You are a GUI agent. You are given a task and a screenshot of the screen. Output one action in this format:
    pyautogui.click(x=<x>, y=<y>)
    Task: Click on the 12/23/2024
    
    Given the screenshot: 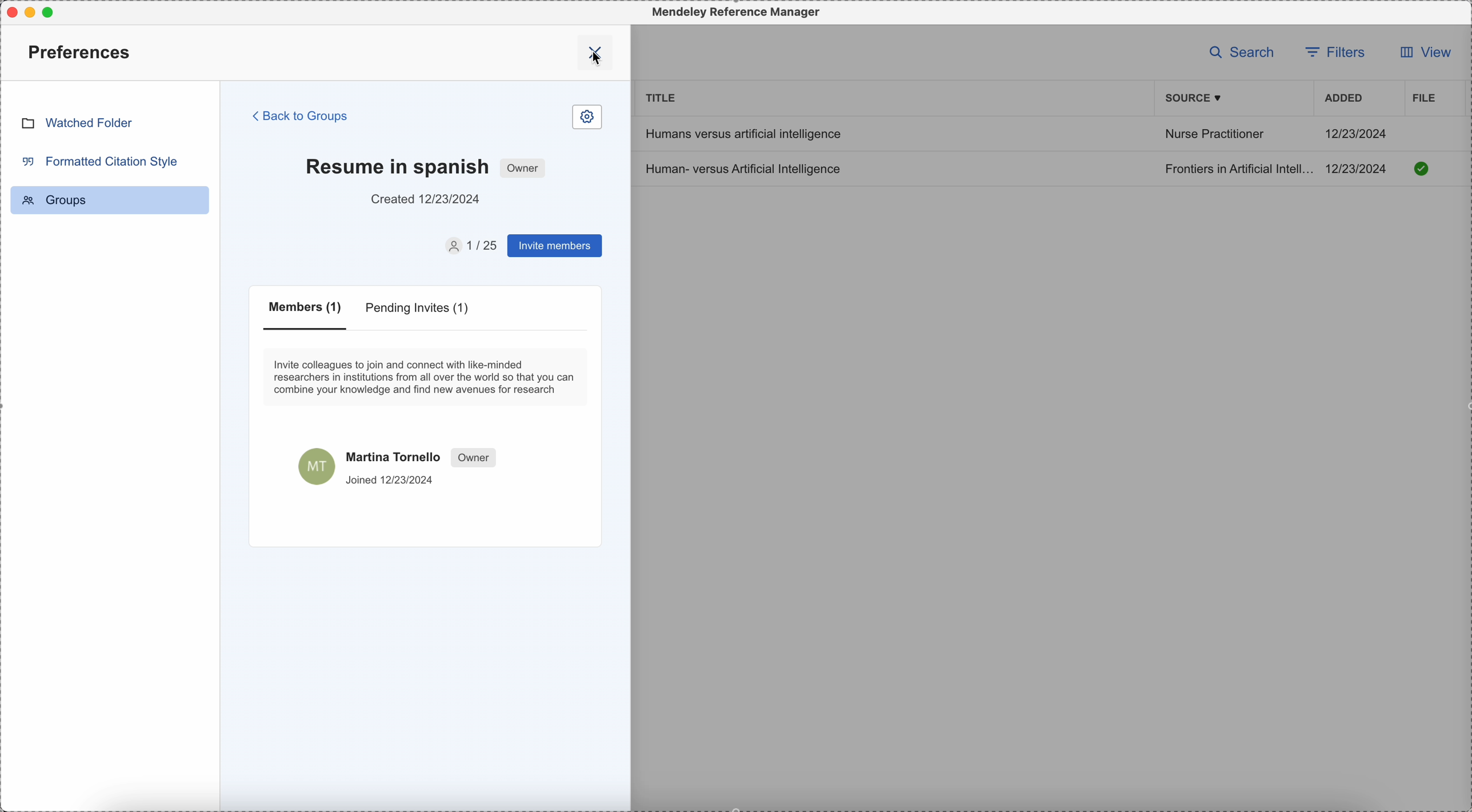 What is the action you would take?
    pyautogui.click(x=1357, y=133)
    